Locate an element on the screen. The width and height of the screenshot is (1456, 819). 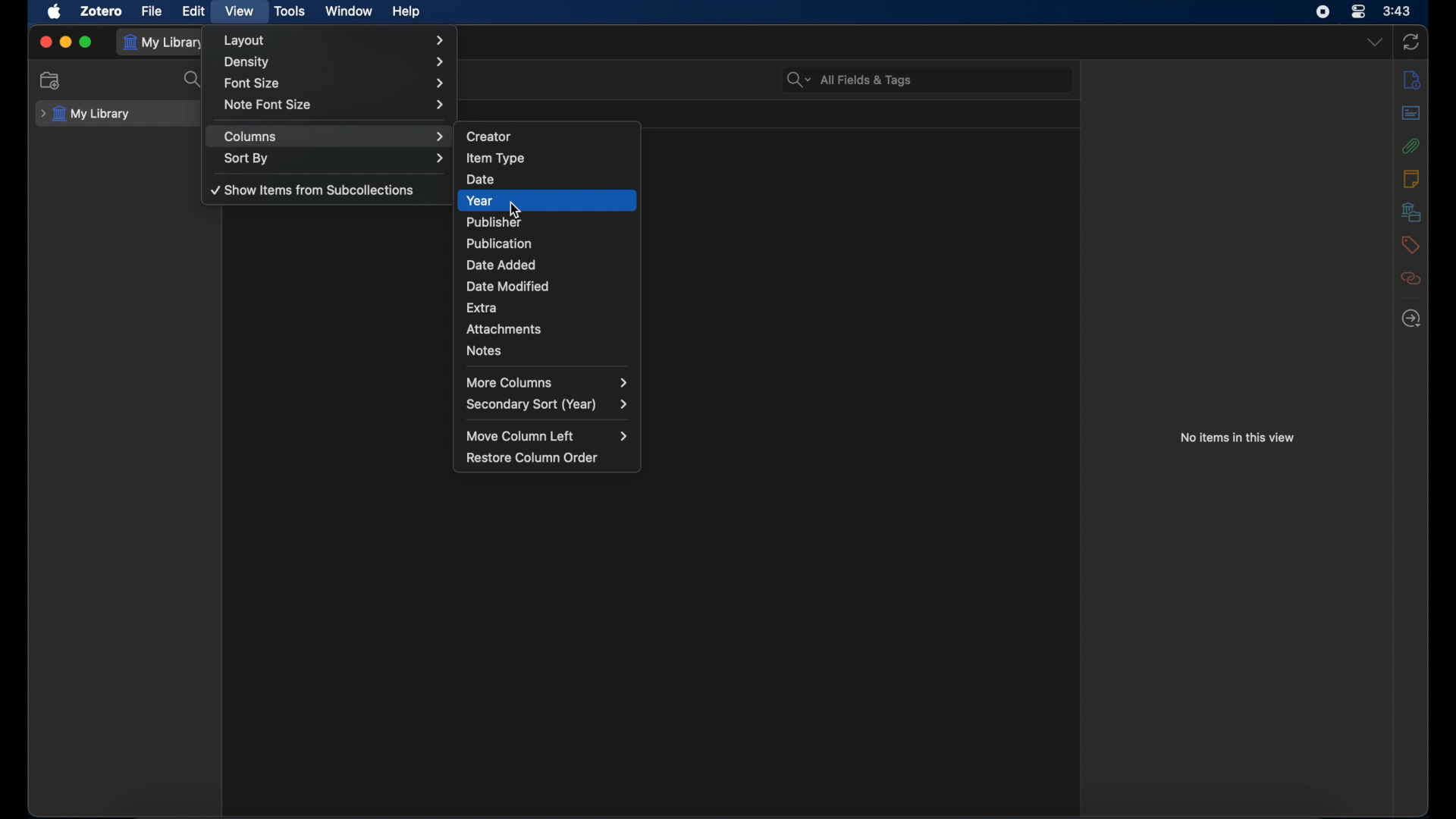
my library is located at coordinates (165, 42).